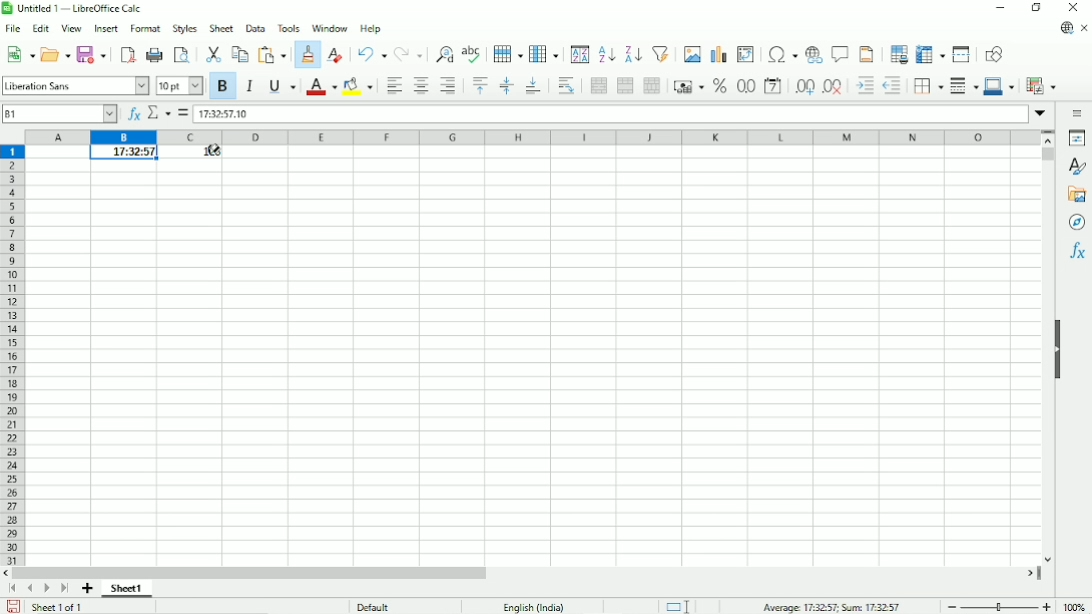 The image size is (1092, 614). What do you see at coordinates (661, 54) in the screenshot?
I see `Autofilter` at bounding box center [661, 54].